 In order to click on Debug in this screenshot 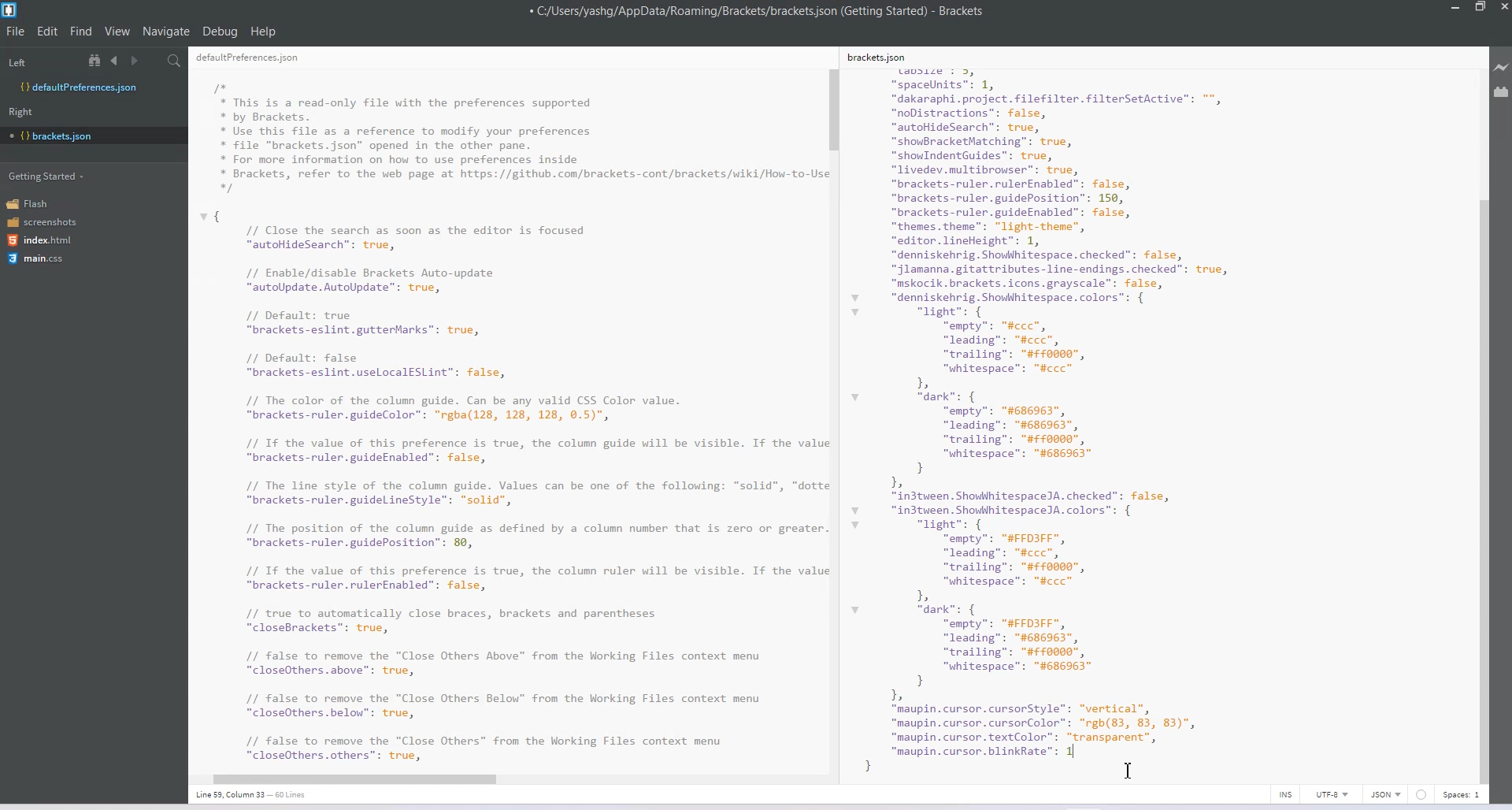, I will do `click(220, 31)`.